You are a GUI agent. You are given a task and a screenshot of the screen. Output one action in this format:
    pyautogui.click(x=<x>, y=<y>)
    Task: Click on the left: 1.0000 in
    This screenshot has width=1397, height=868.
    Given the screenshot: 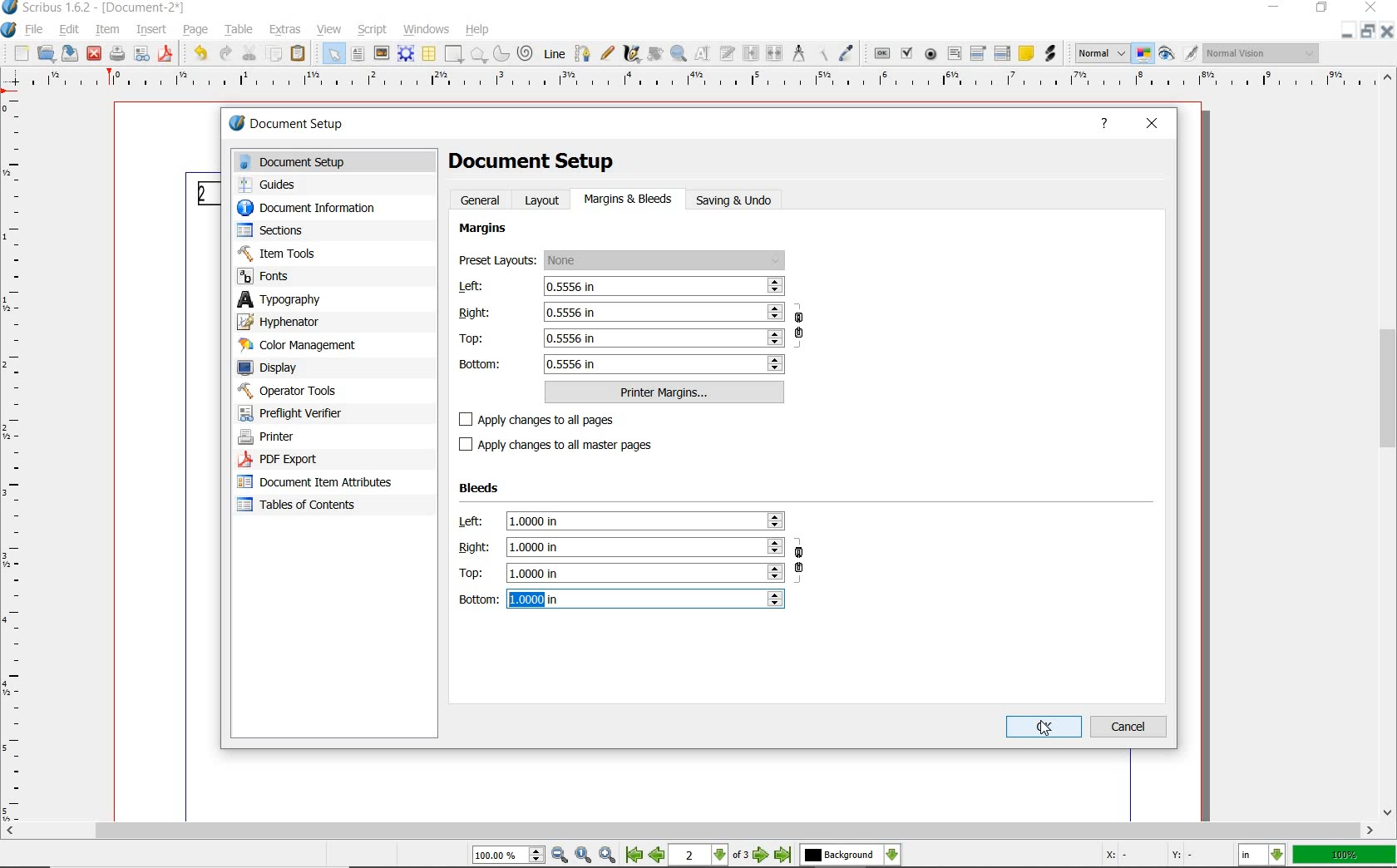 What is the action you would take?
    pyautogui.click(x=621, y=521)
    